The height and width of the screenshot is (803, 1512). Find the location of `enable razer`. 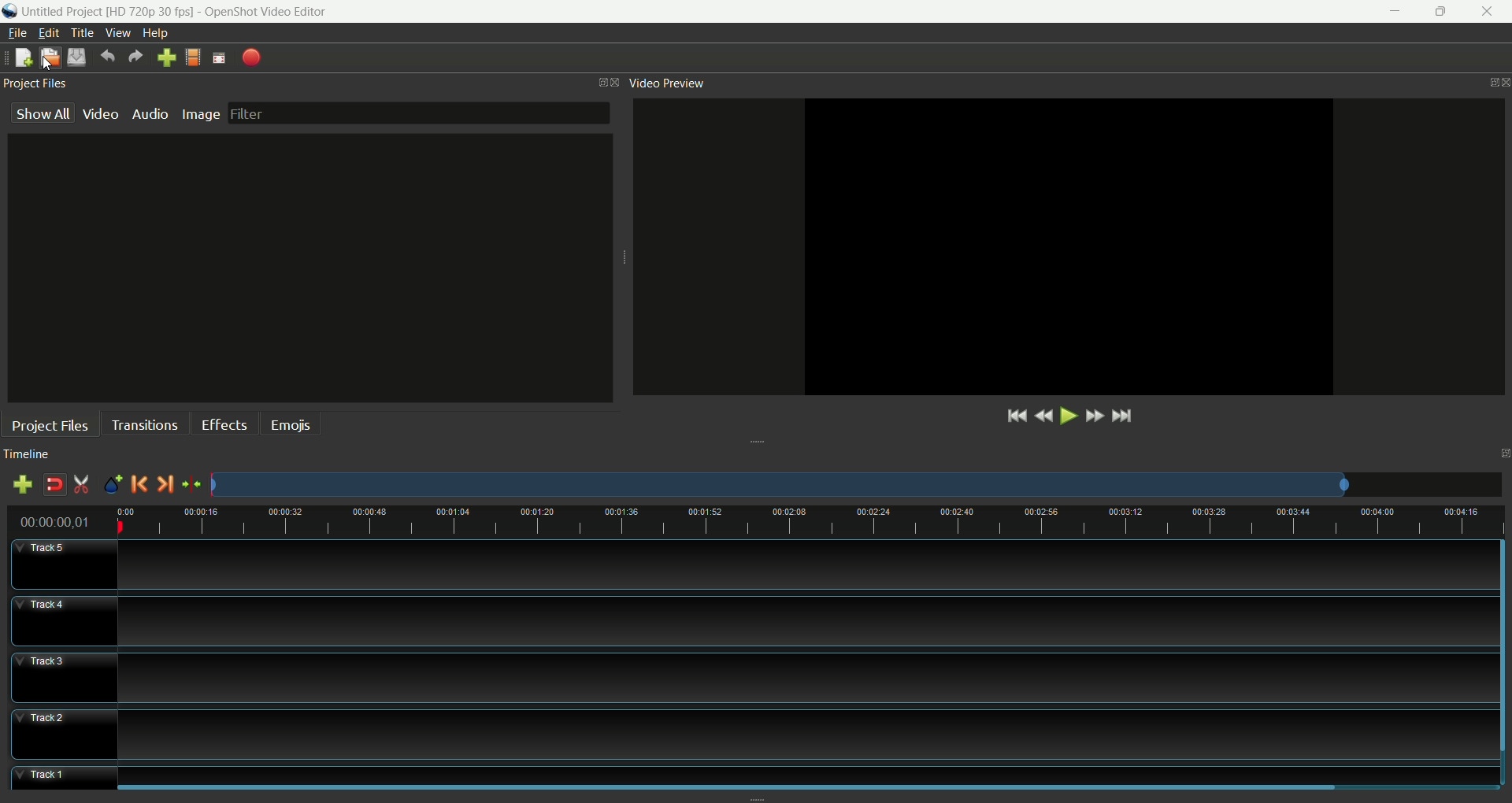

enable razer is located at coordinates (81, 483).